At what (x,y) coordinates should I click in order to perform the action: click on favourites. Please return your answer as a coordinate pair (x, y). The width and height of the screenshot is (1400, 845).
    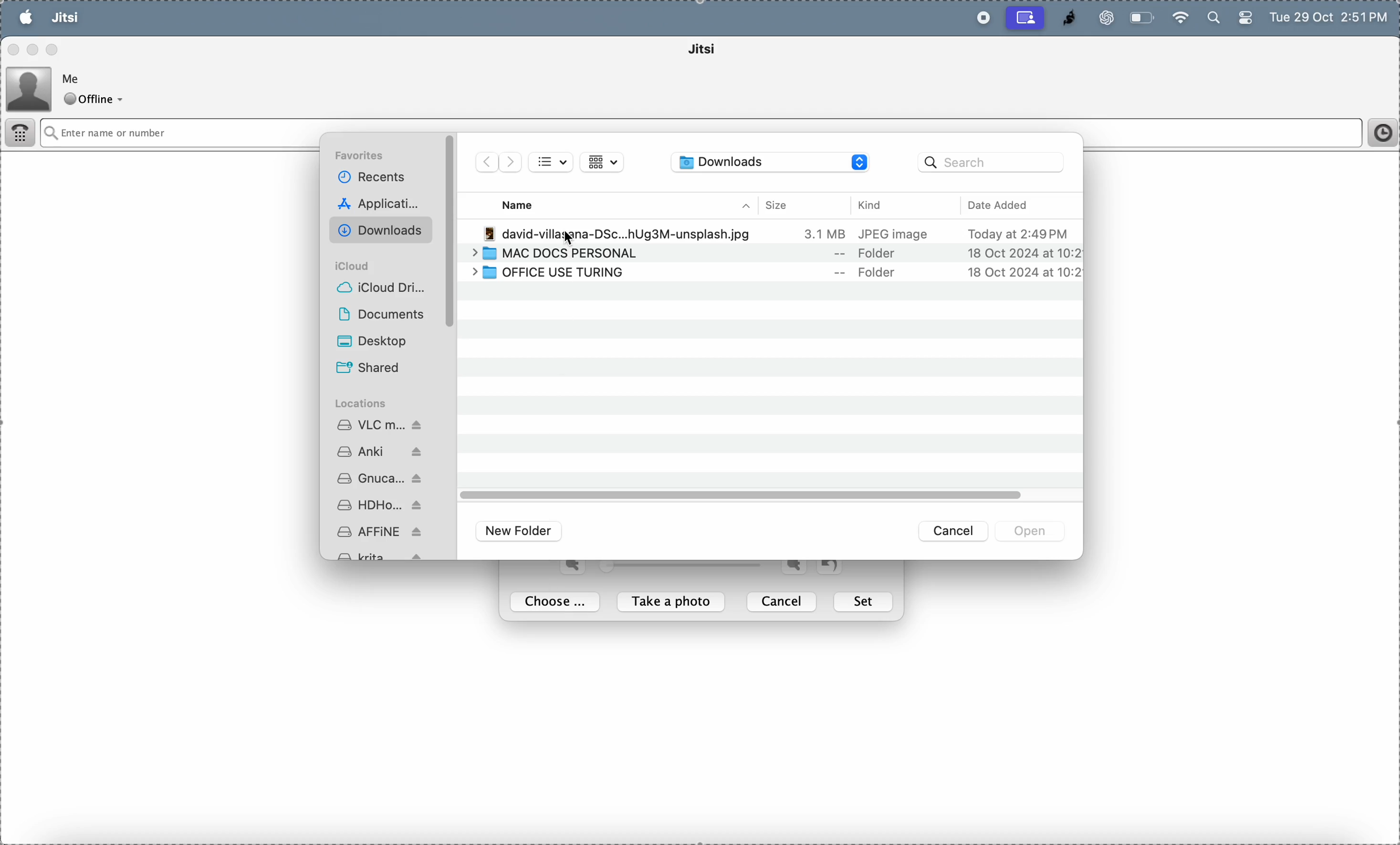
    Looking at the image, I should click on (364, 157).